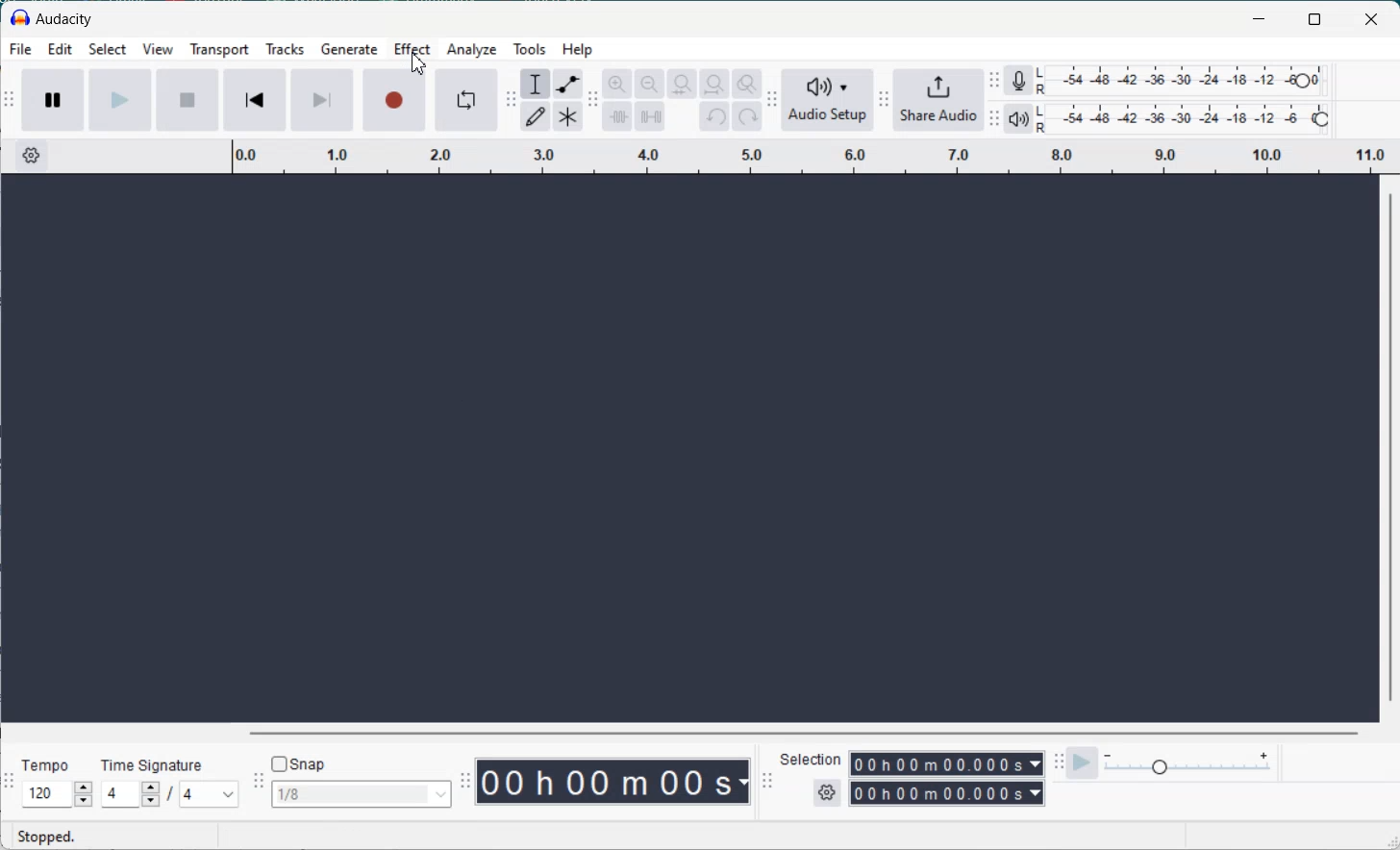 This screenshot has height=850, width=1400. Describe the element at coordinates (1183, 120) in the screenshot. I see `Playback level 100%` at that location.